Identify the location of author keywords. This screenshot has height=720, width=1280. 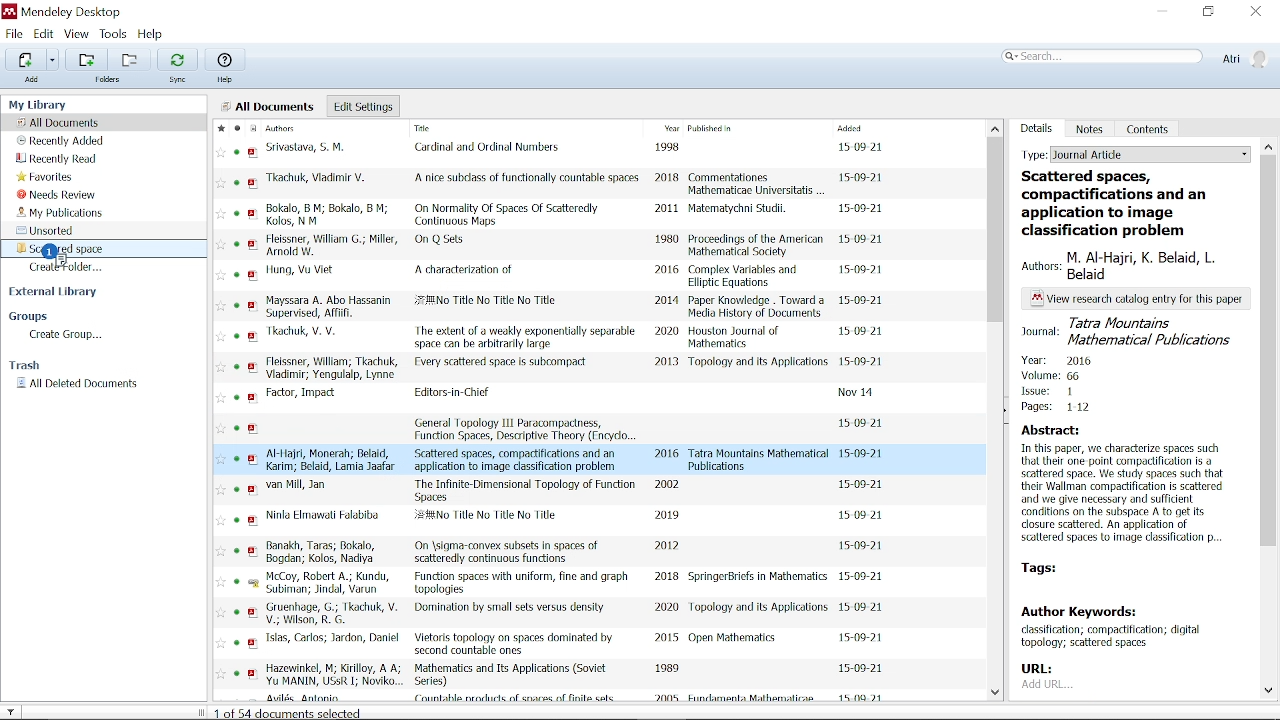
(1124, 629).